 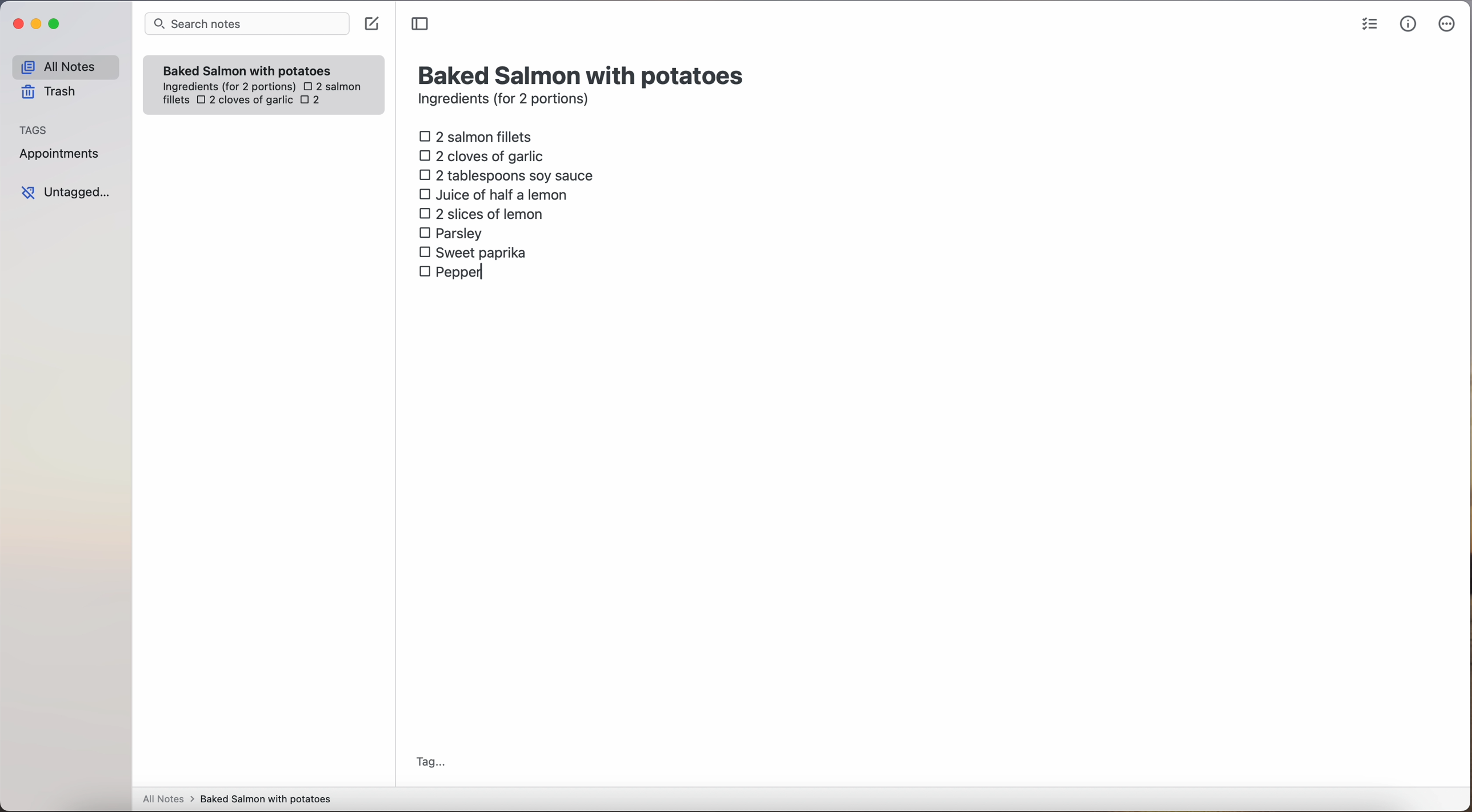 I want to click on 2 cloves of garlic, so click(x=245, y=101).